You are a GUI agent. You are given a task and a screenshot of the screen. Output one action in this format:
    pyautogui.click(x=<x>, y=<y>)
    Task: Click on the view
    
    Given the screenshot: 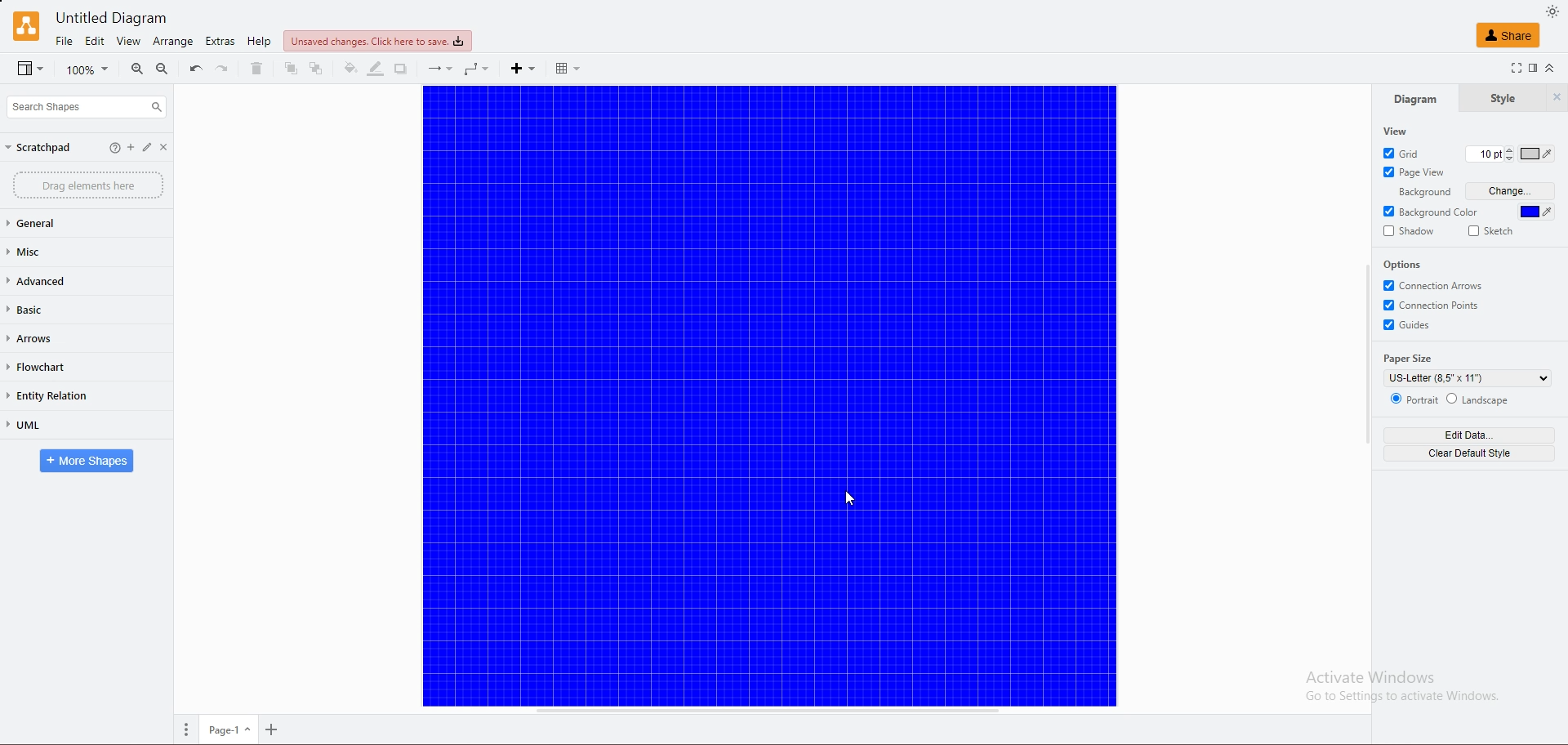 What is the action you would take?
    pyautogui.click(x=1397, y=131)
    